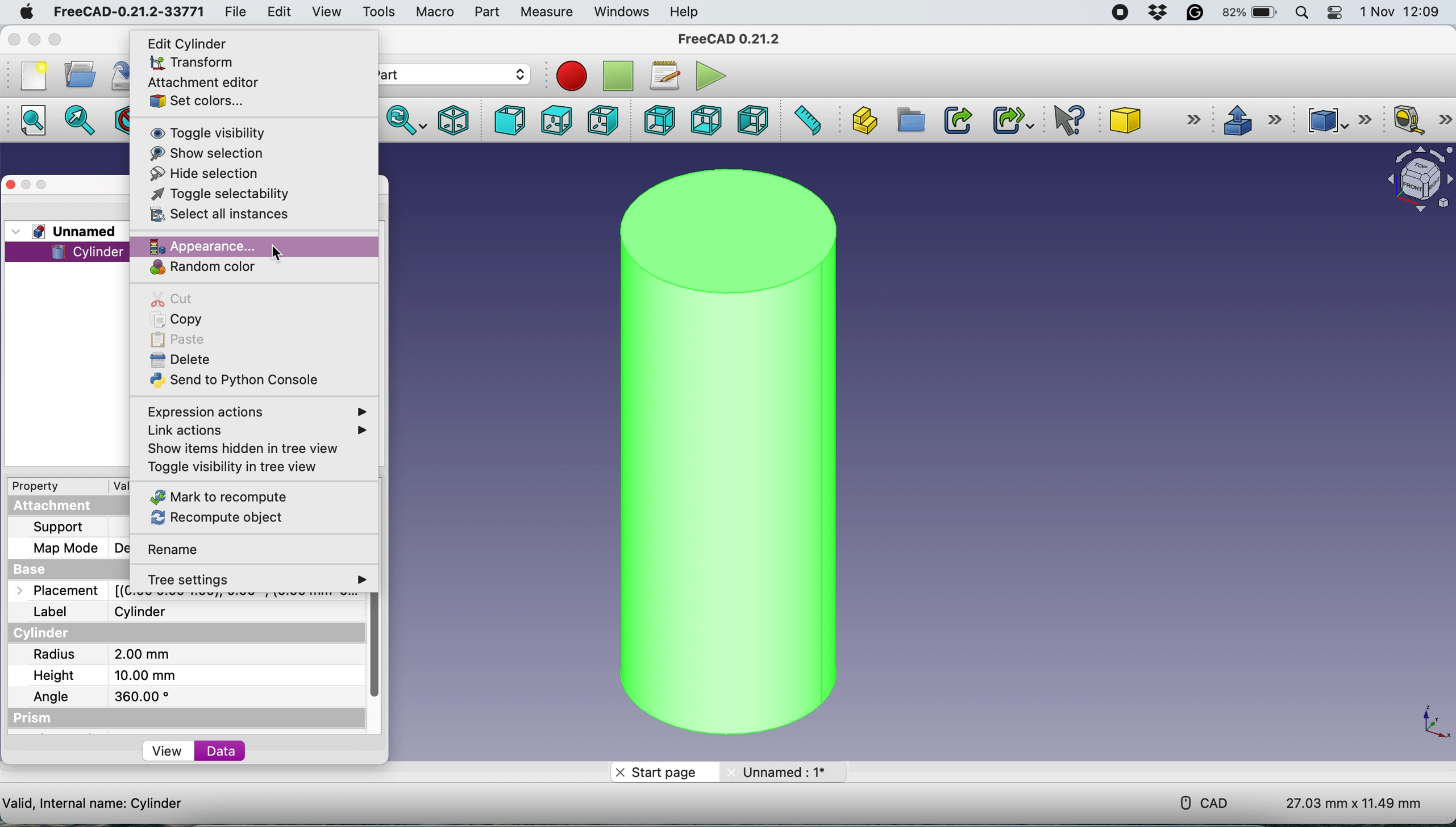 The image size is (1456, 827). I want to click on create part, so click(862, 120).